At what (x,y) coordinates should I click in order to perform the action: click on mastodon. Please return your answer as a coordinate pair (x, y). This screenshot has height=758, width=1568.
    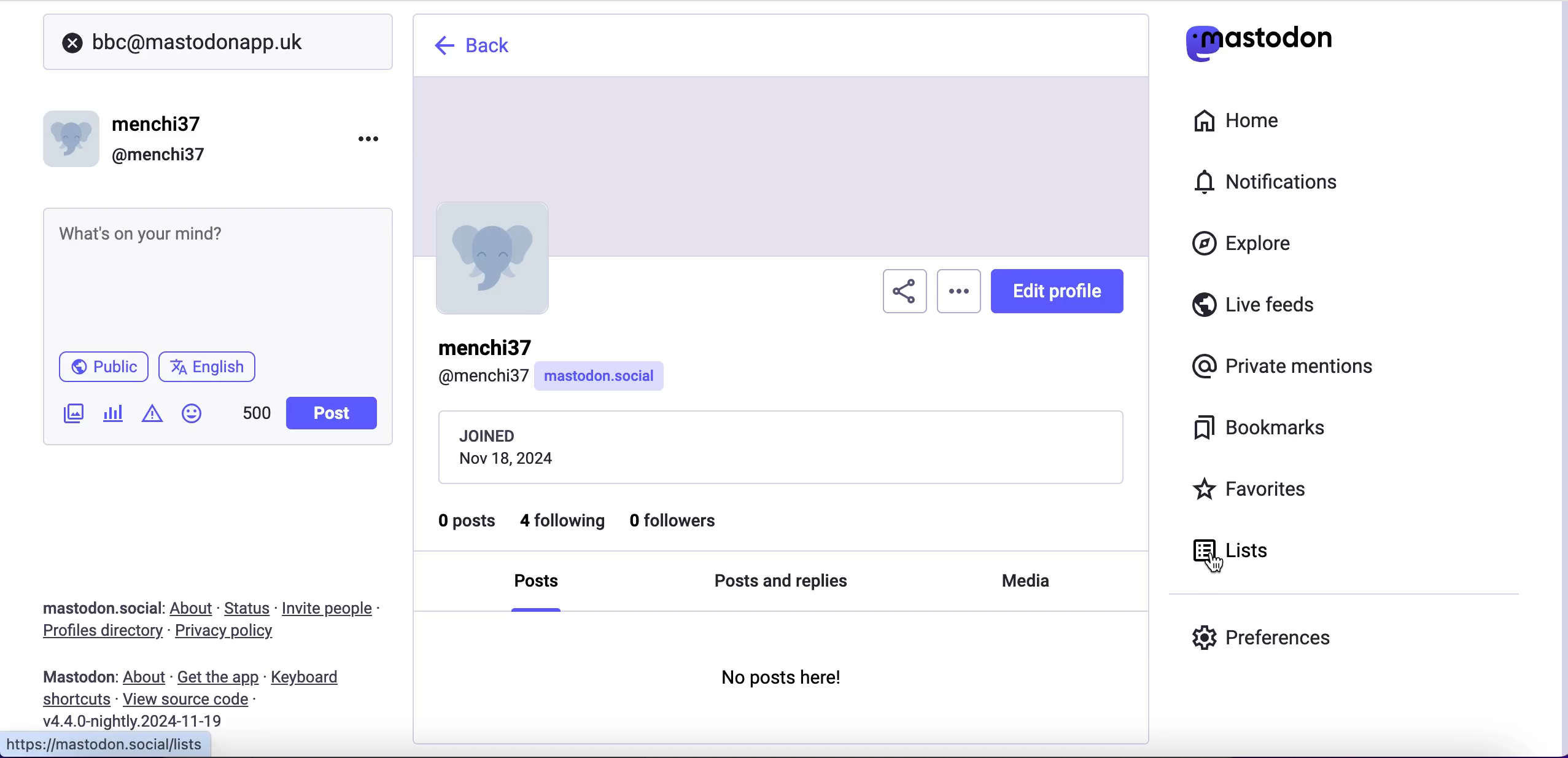
    Looking at the image, I should click on (79, 677).